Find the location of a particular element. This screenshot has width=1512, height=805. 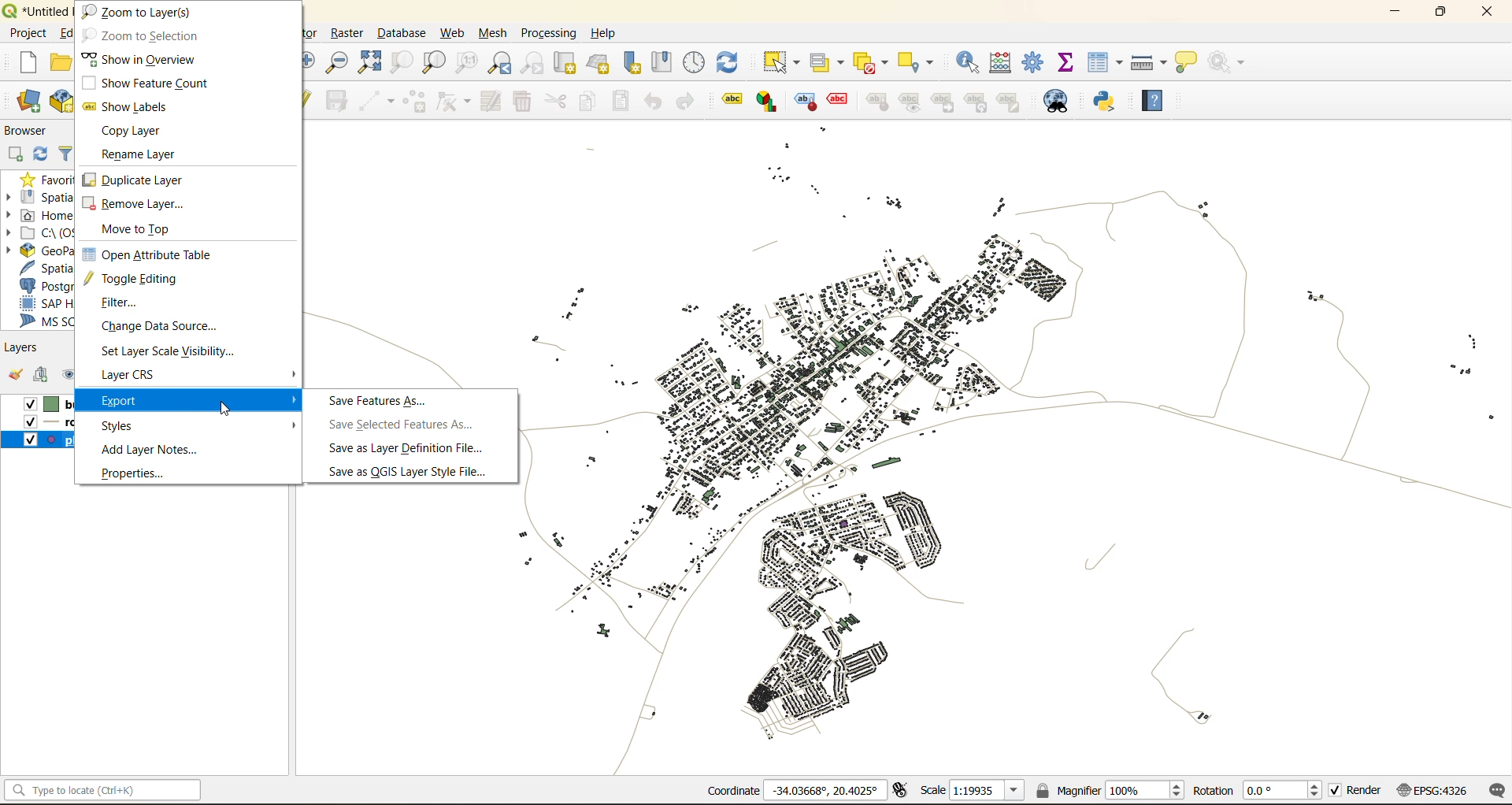

layer diagram is located at coordinates (765, 102).